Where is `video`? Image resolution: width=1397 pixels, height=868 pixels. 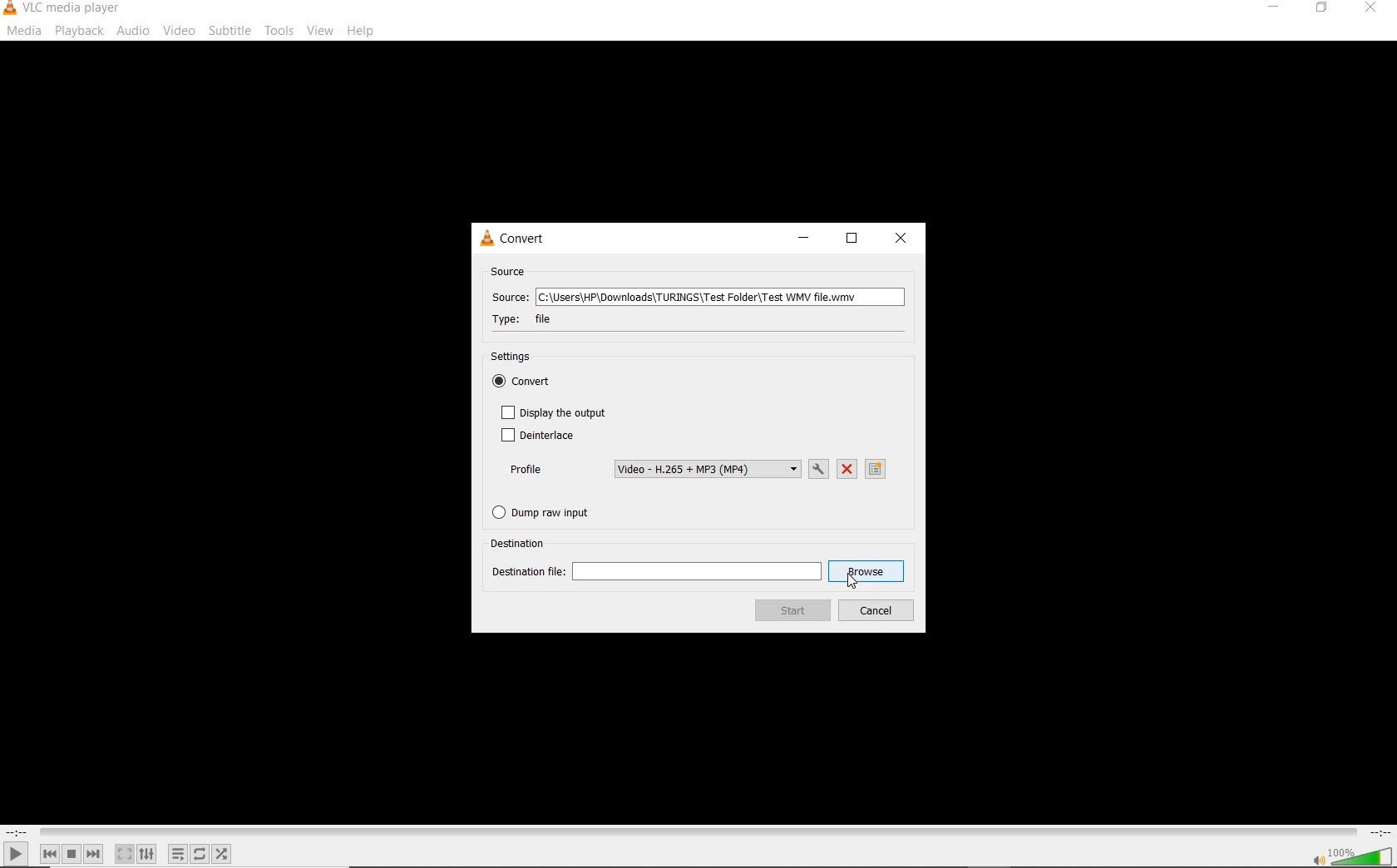
video is located at coordinates (179, 31).